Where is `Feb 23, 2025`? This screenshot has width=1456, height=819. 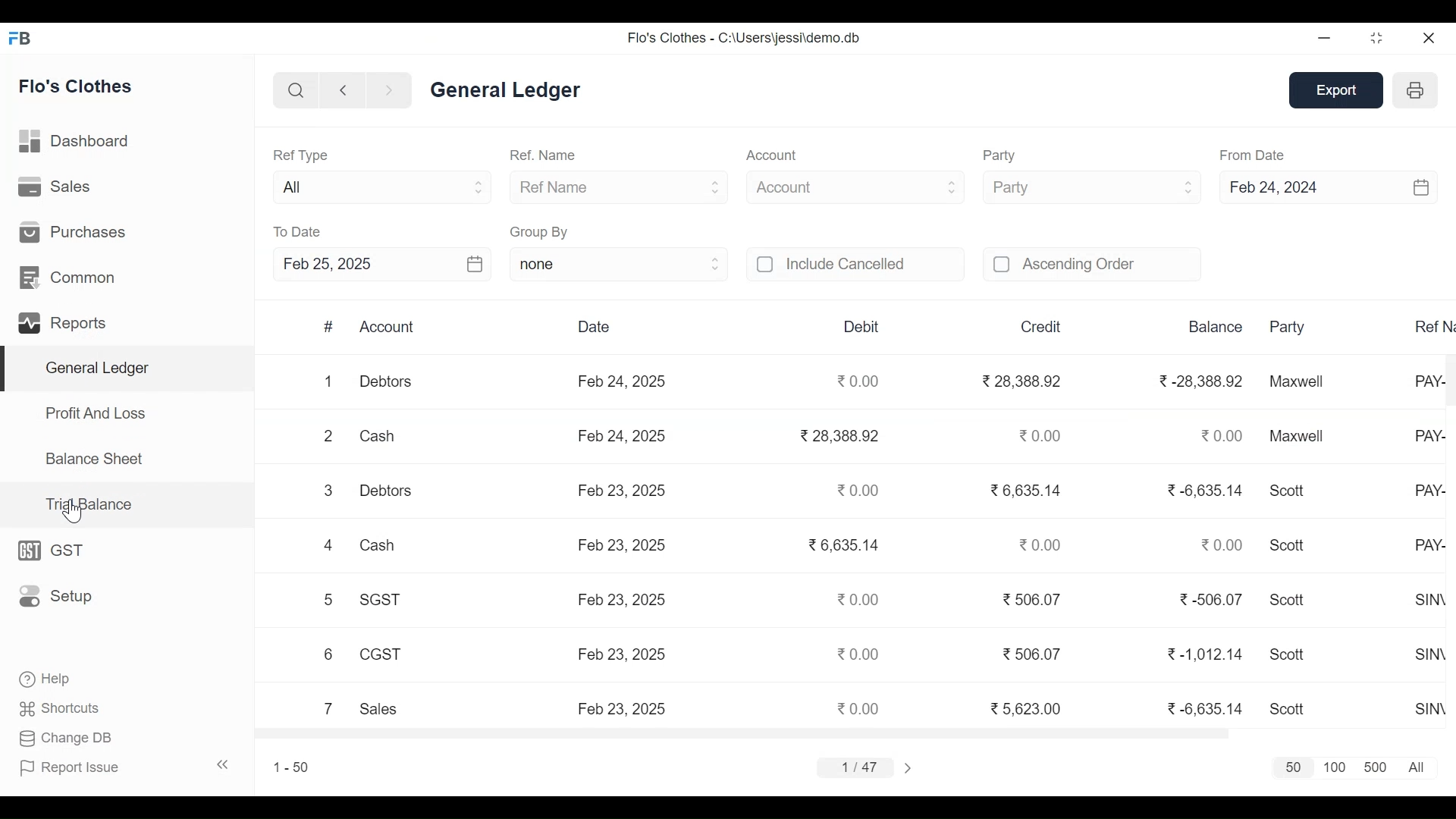 Feb 23, 2025 is located at coordinates (621, 491).